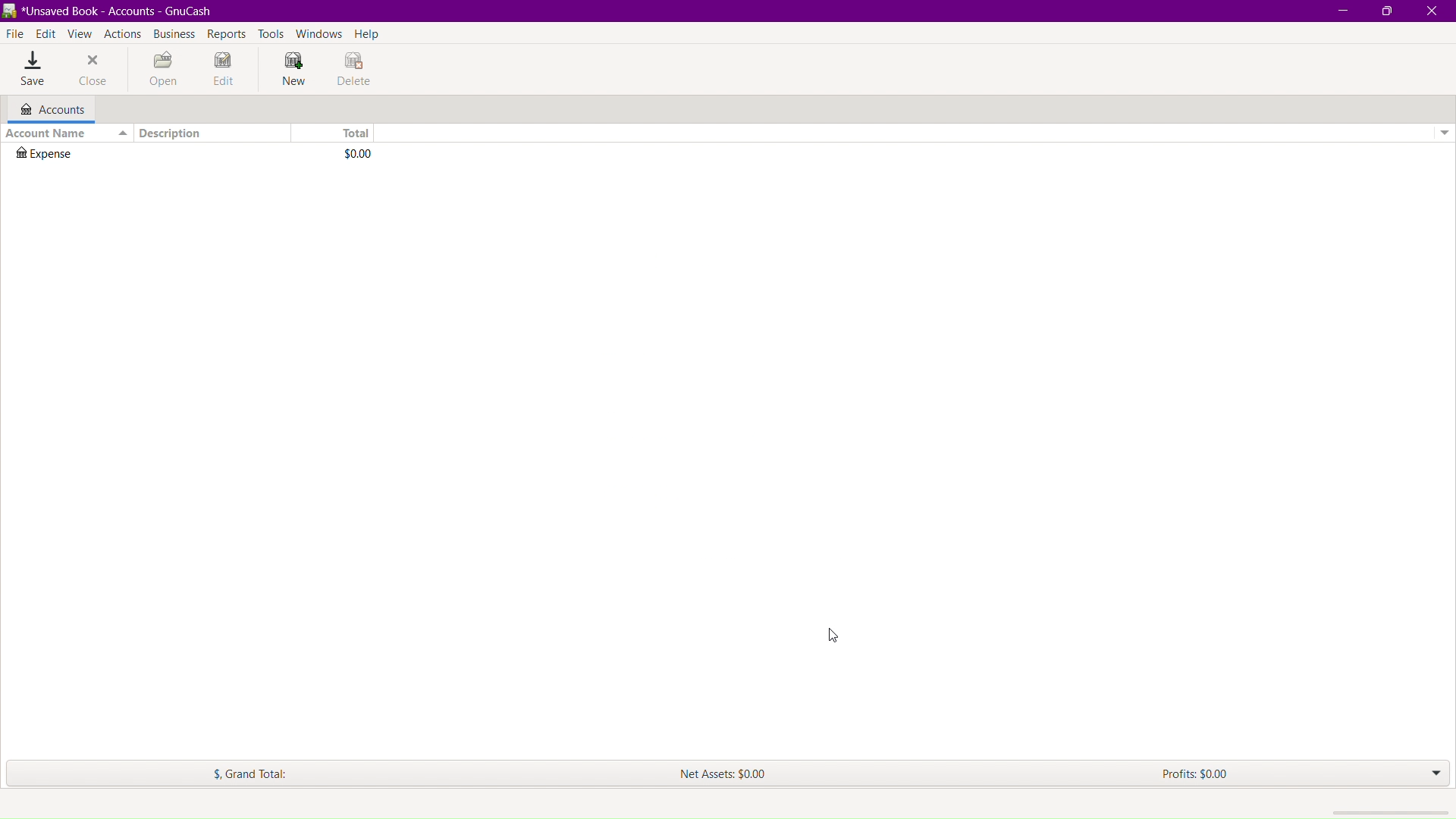  What do you see at coordinates (74, 805) in the screenshot?
I see `create a new account` at bounding box center [74, 805].